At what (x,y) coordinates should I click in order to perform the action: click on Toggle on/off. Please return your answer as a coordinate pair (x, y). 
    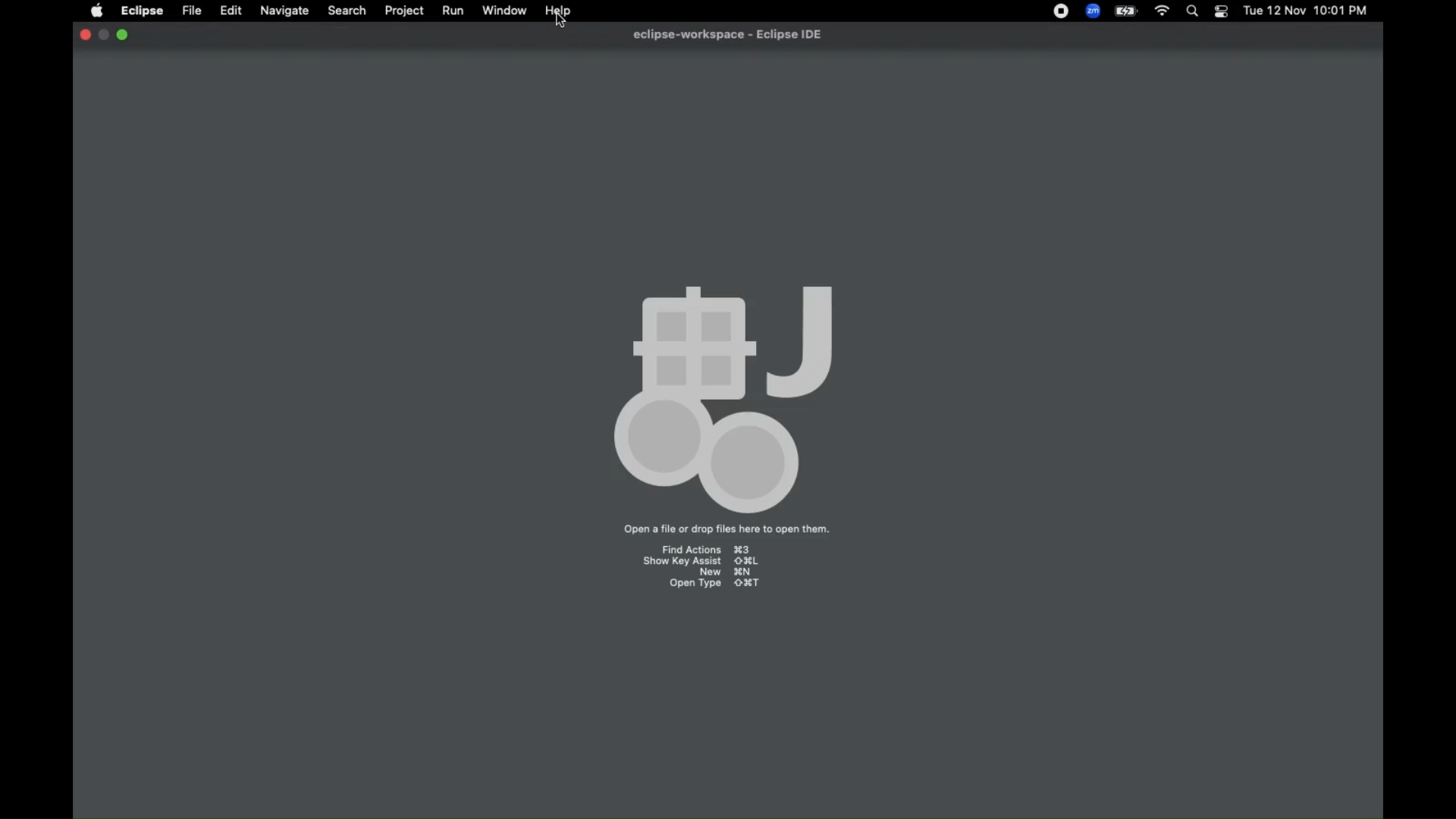
    Looking at the image, I should click on (1220, 11).